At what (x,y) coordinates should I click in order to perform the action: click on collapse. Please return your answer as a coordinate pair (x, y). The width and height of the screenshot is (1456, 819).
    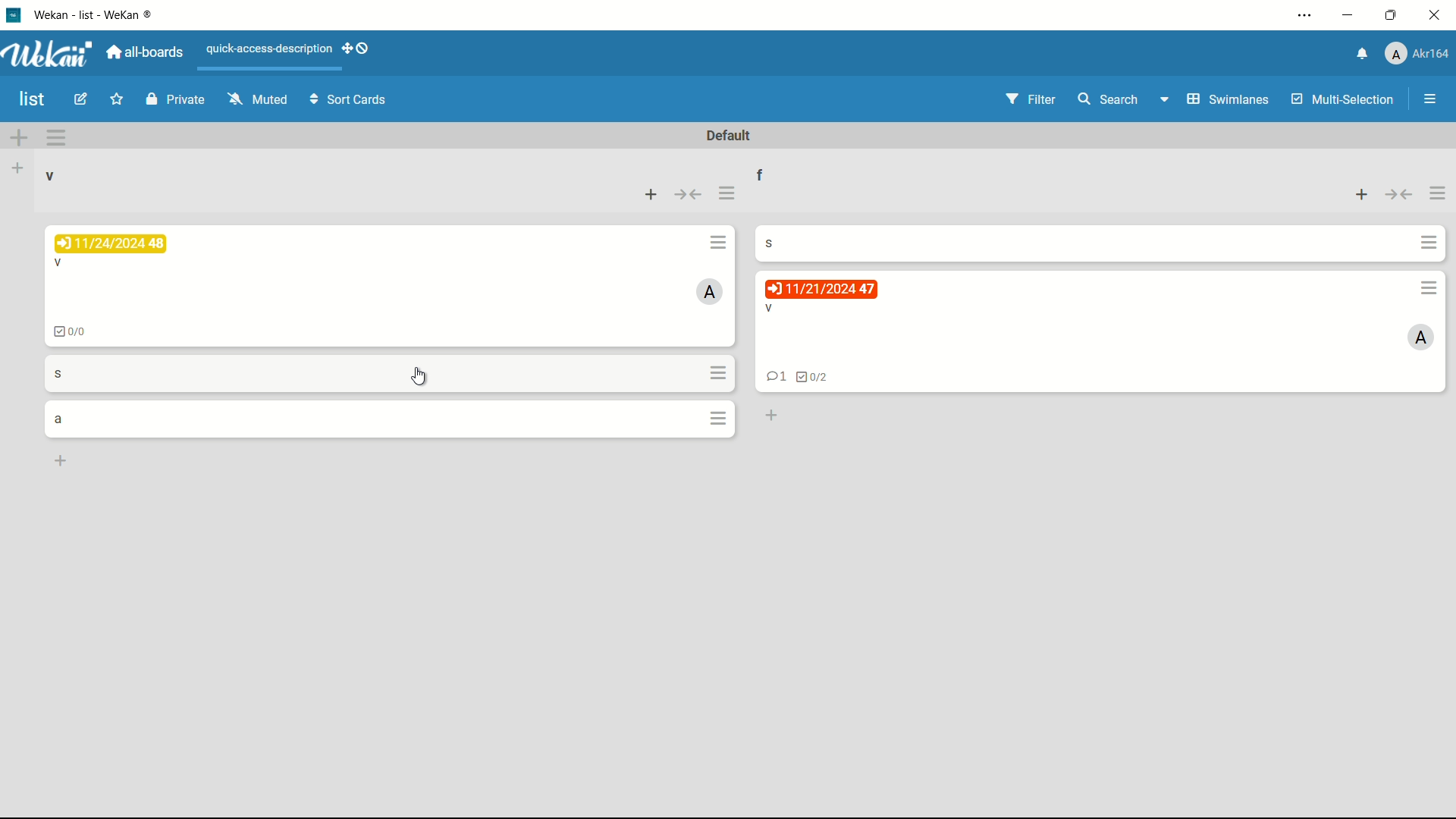
    Looking at the image, I should click on (1399, 196).